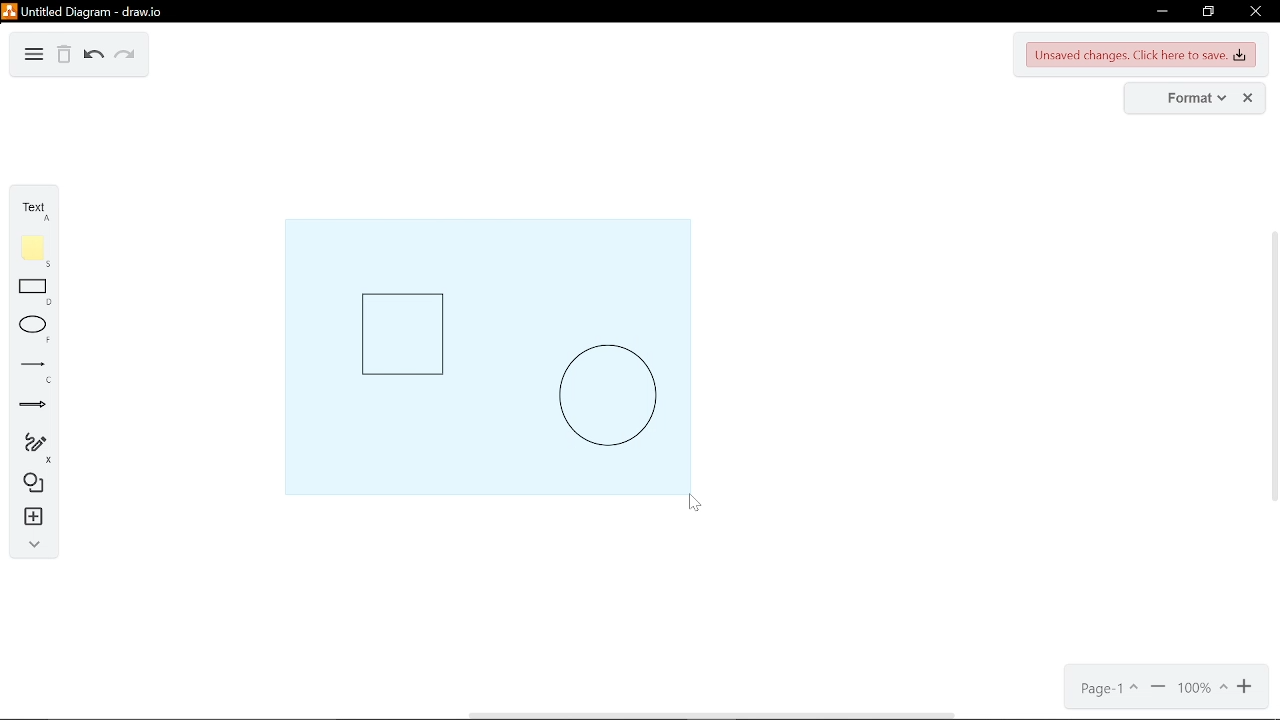 This screenshot has height=720, width=1280. What do you see at coordinates (33, 293) in the screenshot?
I see `rectangle` at bounding box center [33, 293].